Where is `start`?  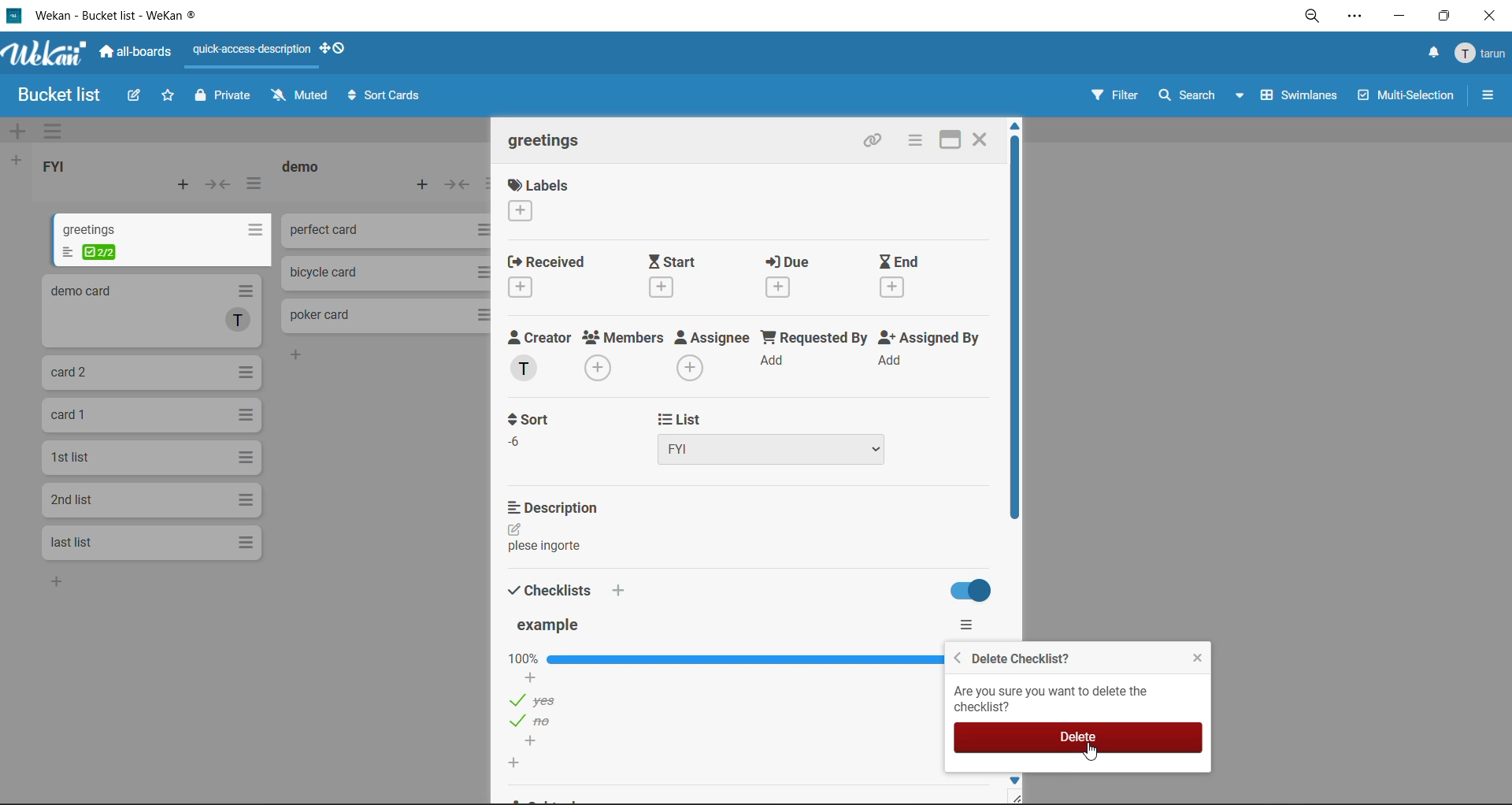
start is located at coordinates (673, 275).